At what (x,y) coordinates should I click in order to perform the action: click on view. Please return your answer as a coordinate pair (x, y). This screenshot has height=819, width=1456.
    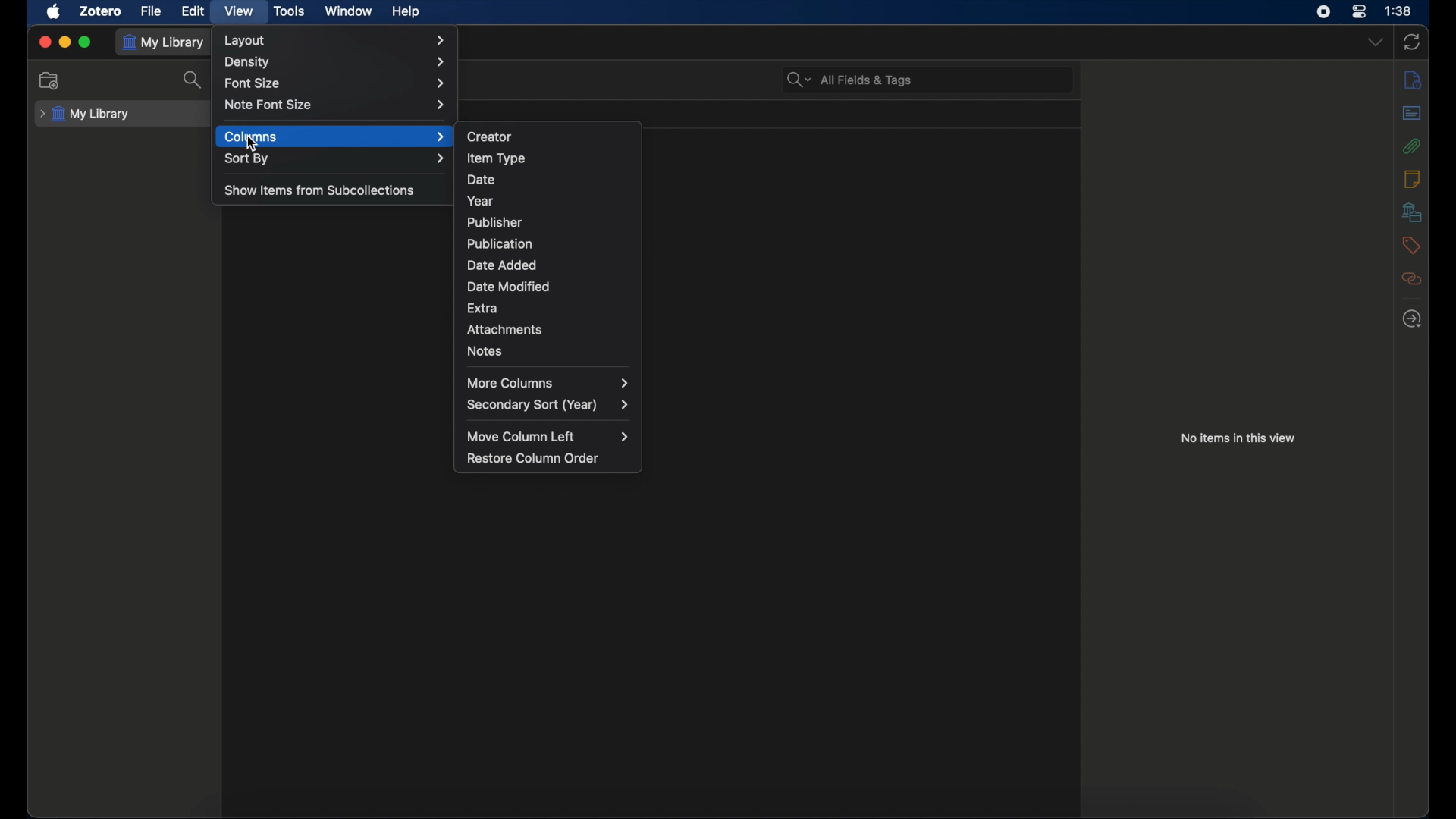
    Looking at the image, I should click on (238, 12).